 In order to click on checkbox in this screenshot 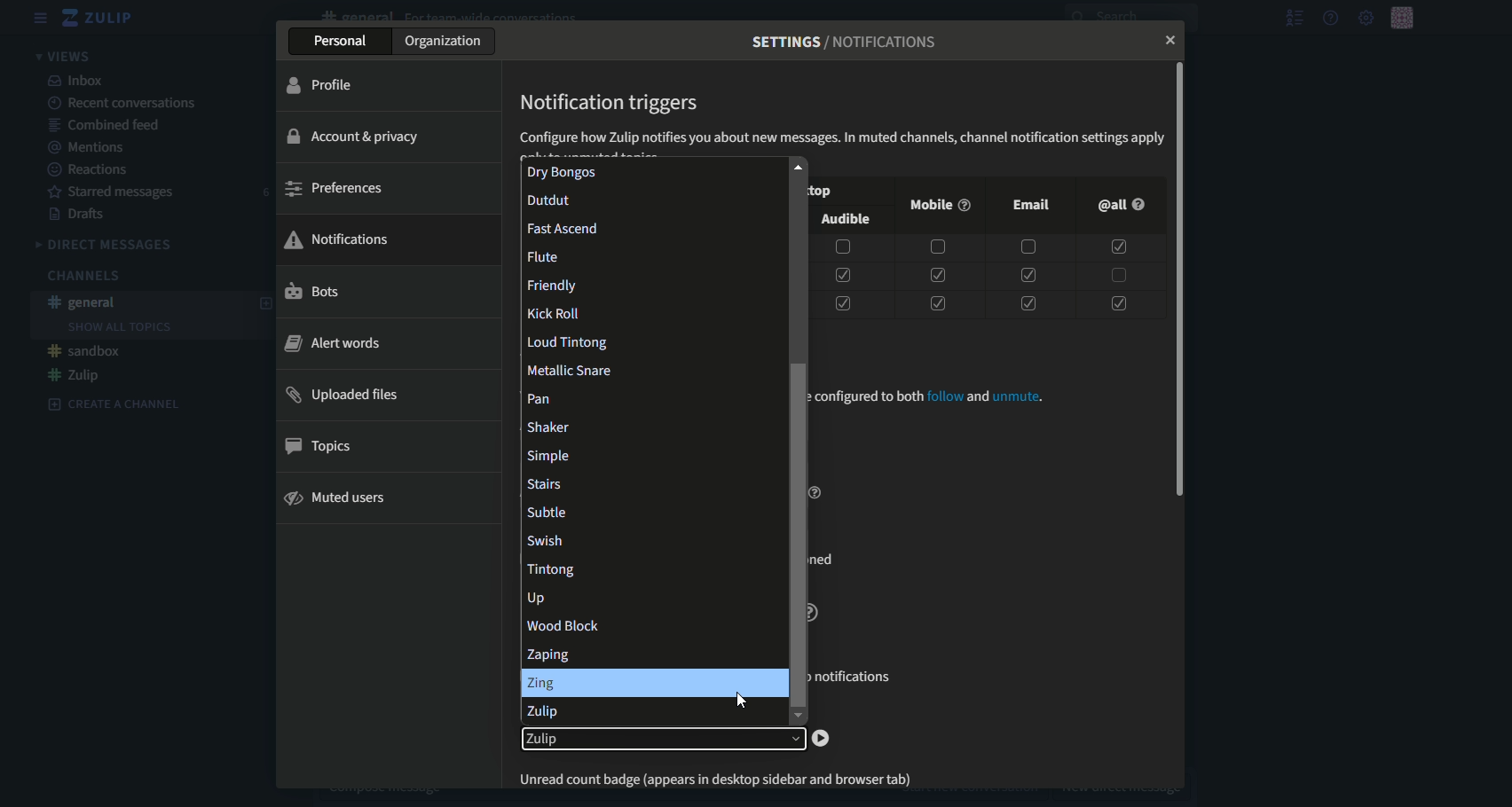, I will do `click(936, 303)`.